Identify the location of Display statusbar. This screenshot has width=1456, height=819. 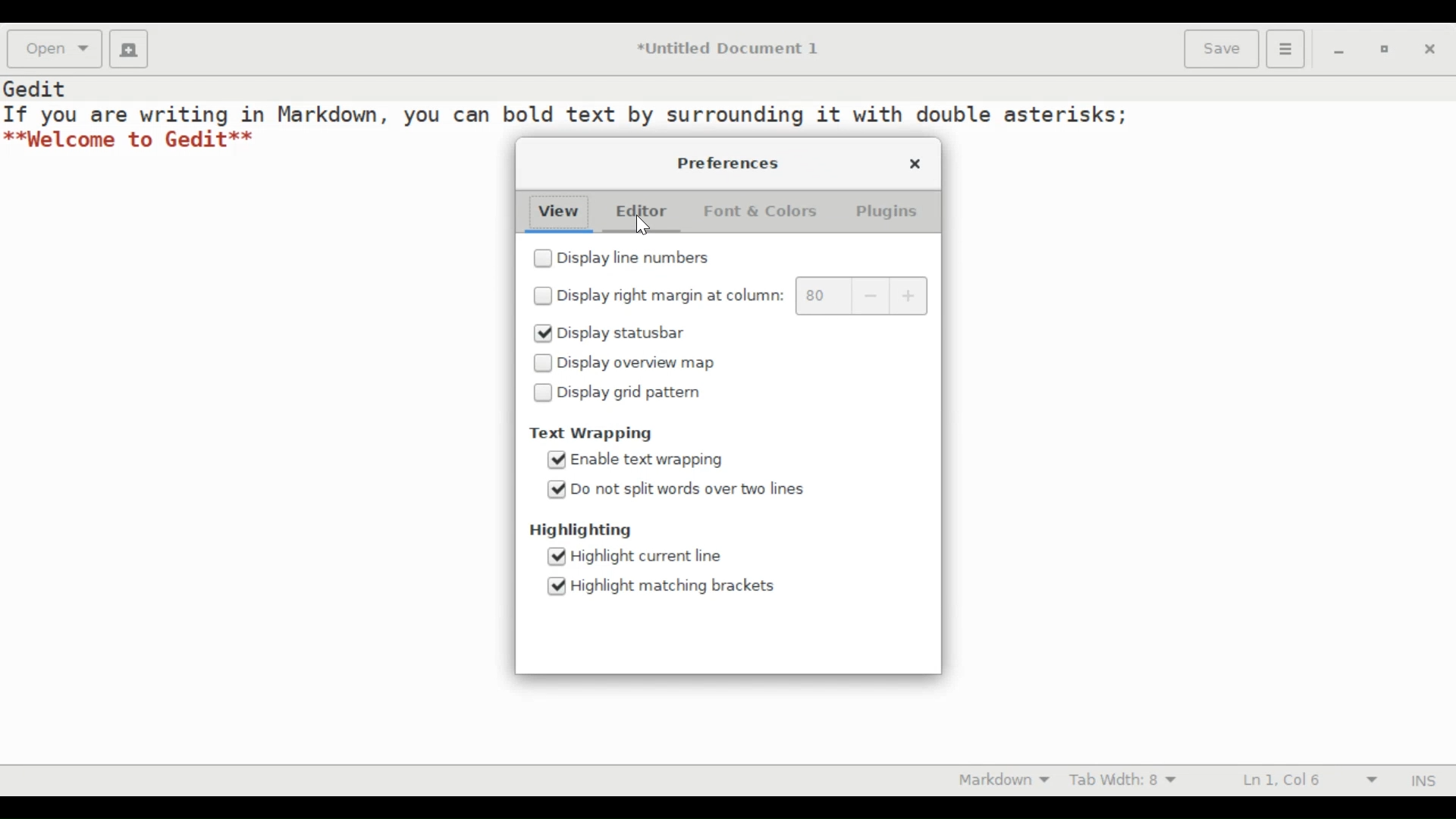
(622, 334).